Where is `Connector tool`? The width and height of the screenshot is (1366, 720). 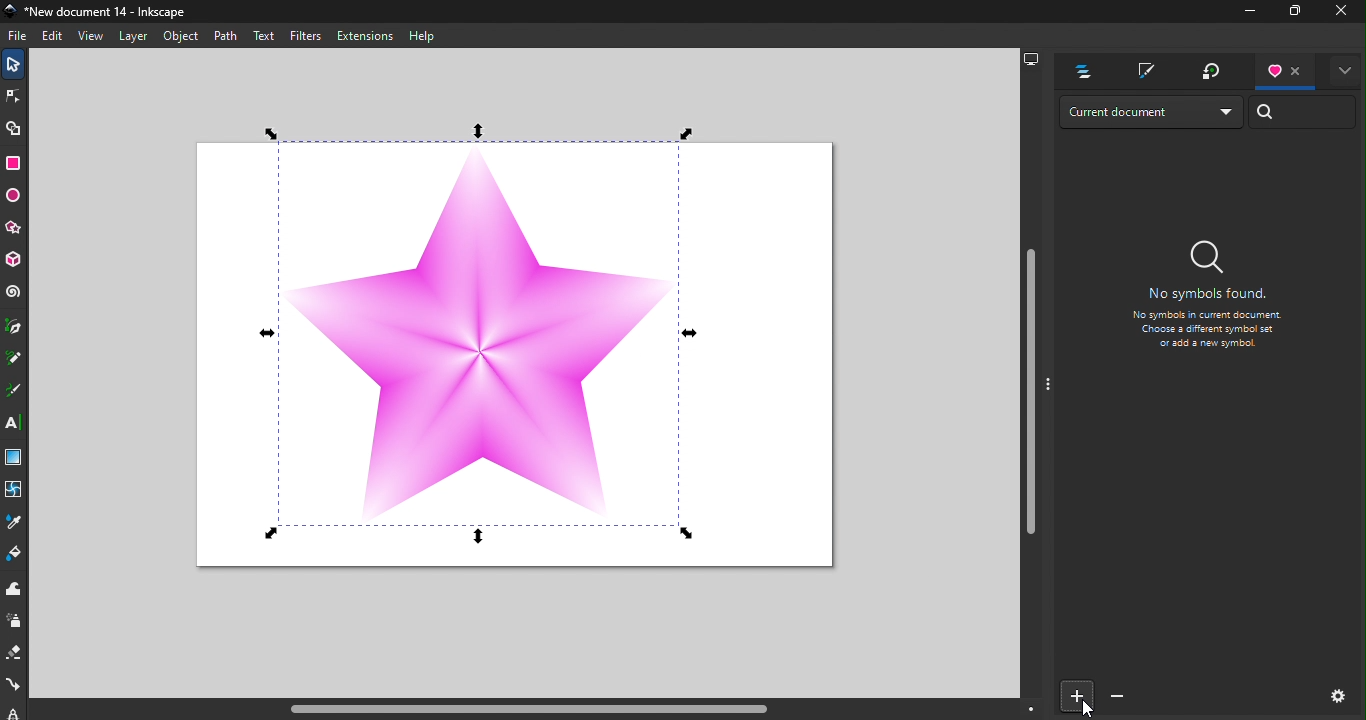
Connector tool is located at coordinates (14, 687).